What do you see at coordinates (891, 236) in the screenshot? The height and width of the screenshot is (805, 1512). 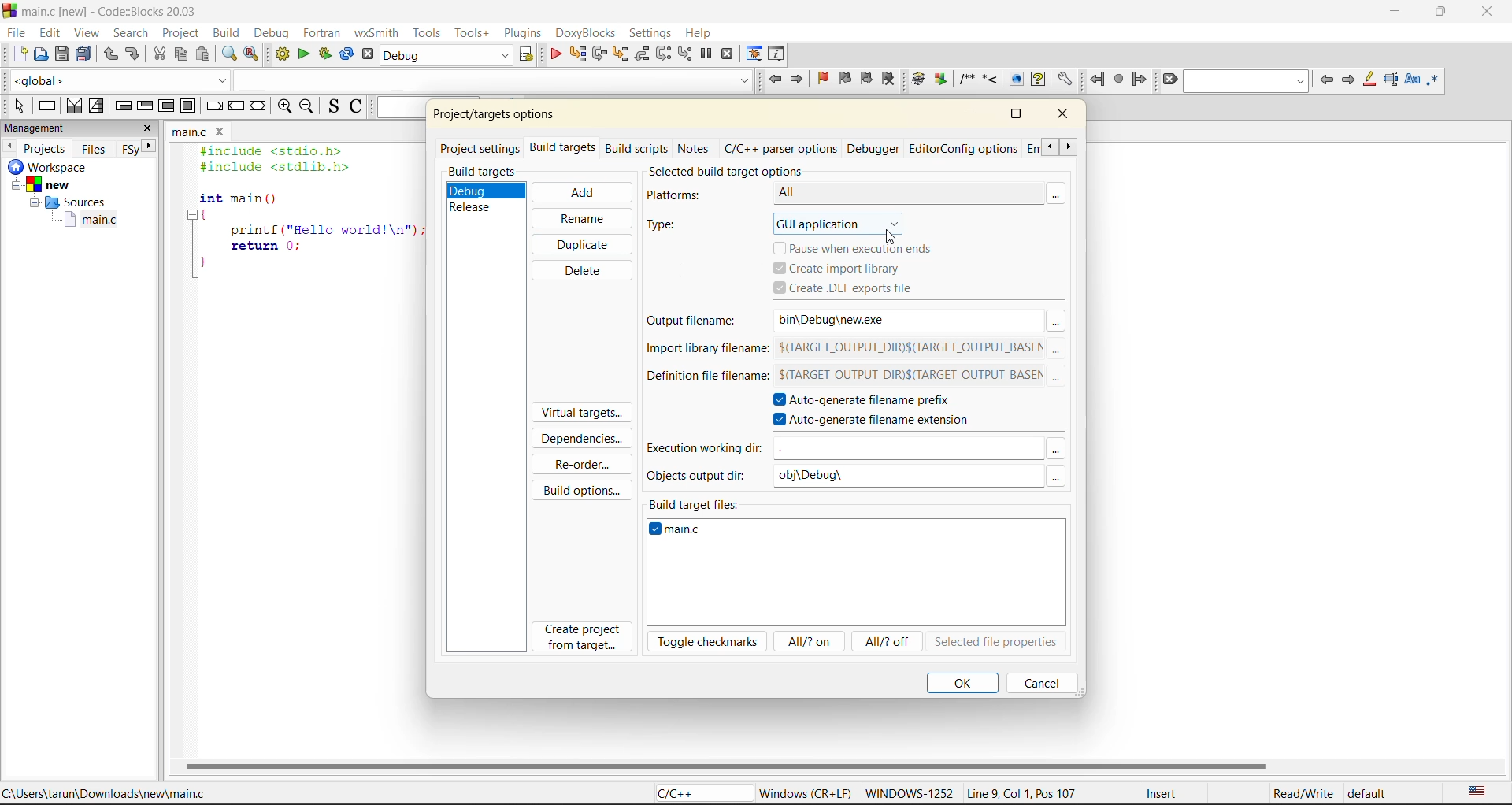 I see `Cursor` at bounding box center [891, 236].